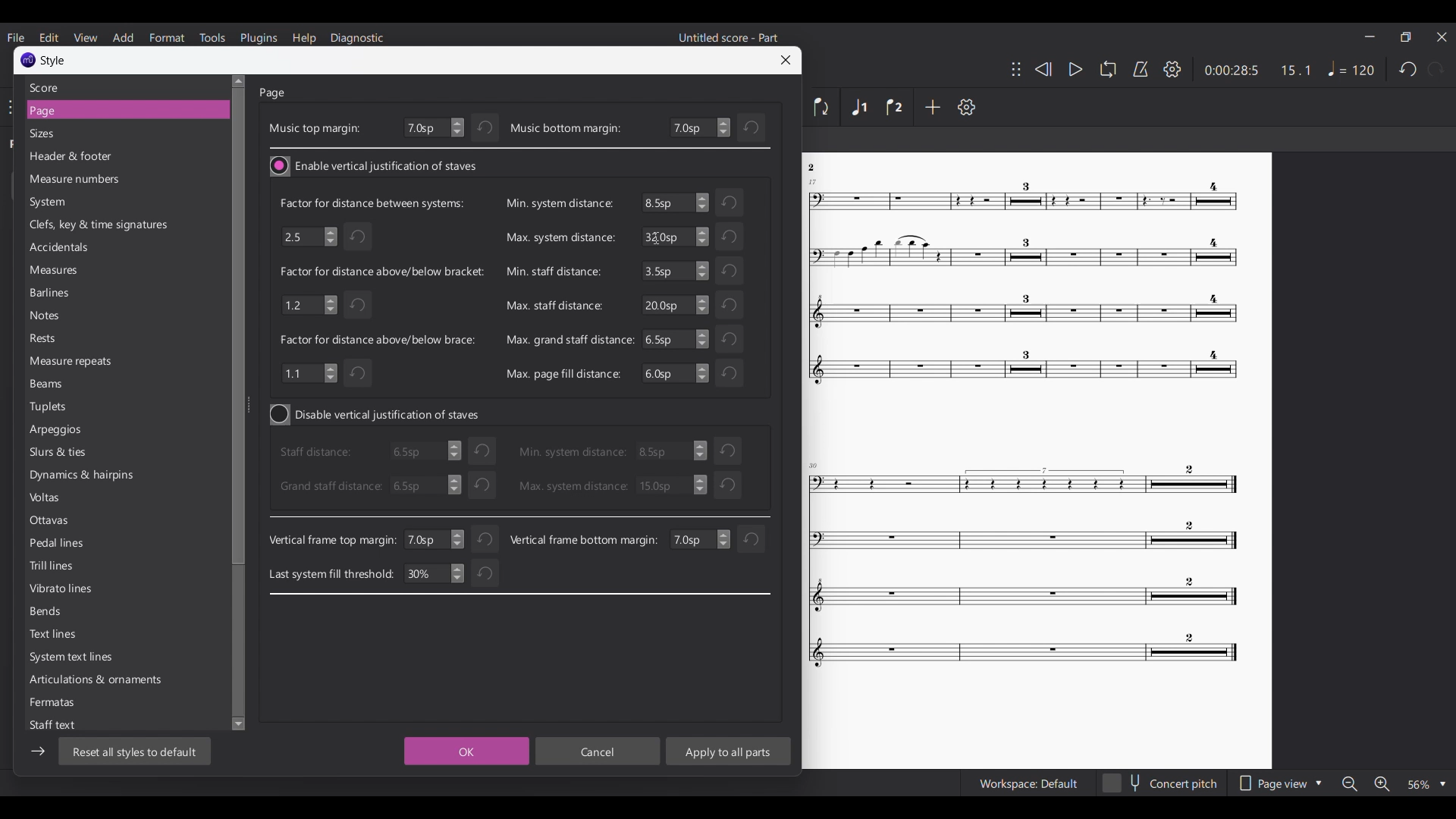  I want to click on Play, so click(1076, 70).